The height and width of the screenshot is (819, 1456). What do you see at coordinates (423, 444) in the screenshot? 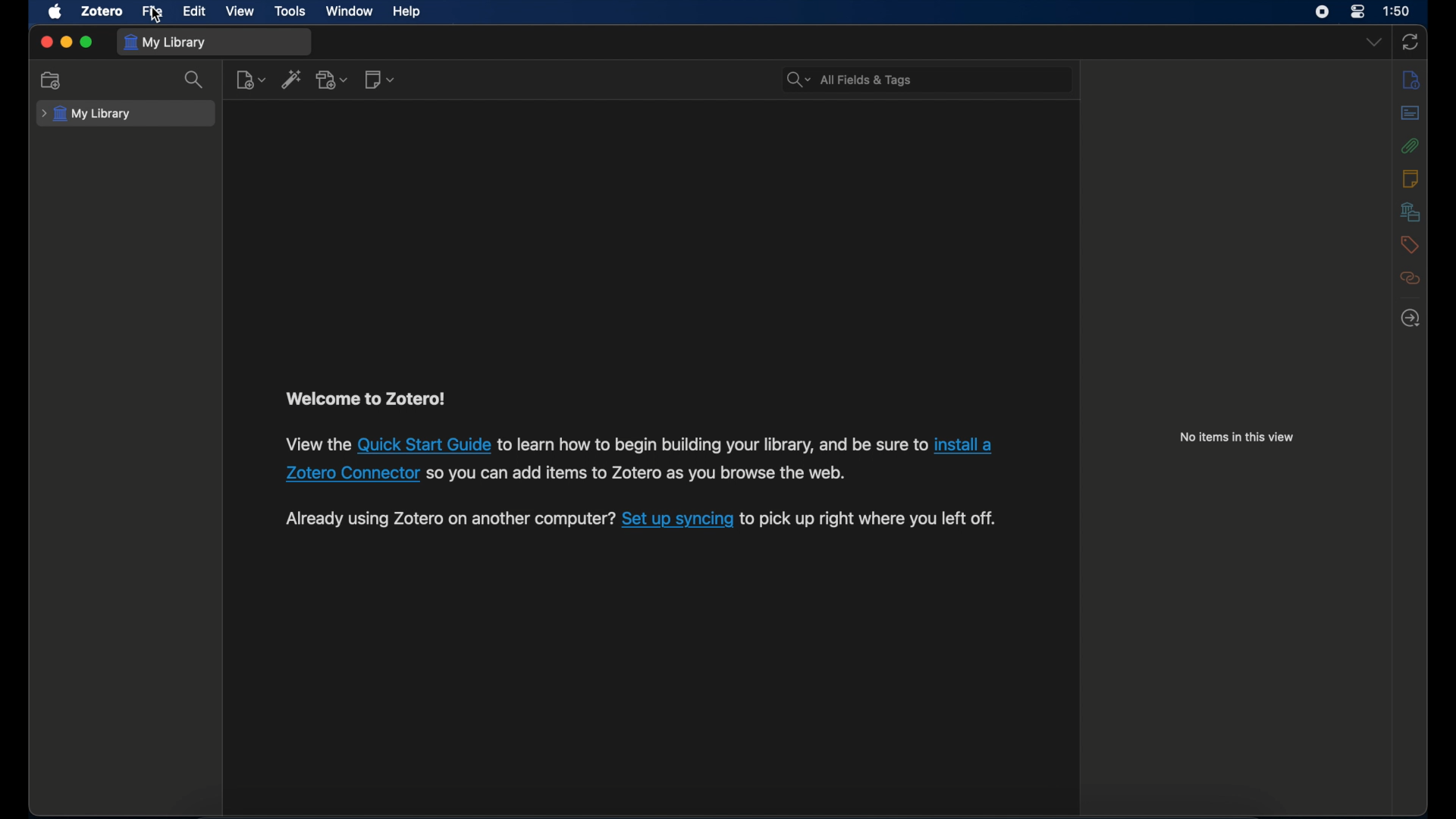
I see `Quick install guide` at bounding box center [423, 444].